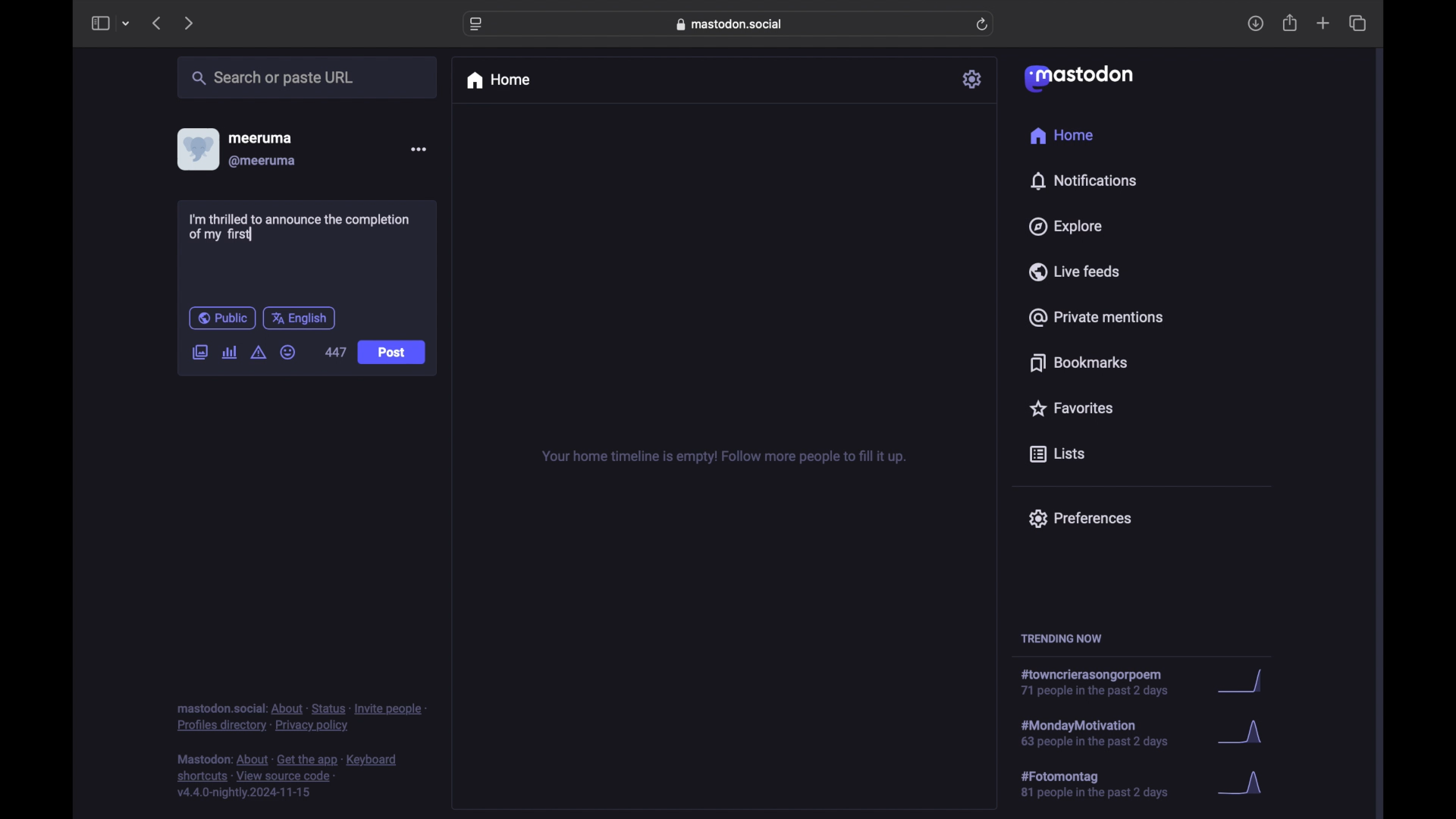 The width and height of the screenshot is (1456, 819). What do you see at coordinates (231, 353) in the screenshot?
I see `add poll` at bounding box center [231, 353].